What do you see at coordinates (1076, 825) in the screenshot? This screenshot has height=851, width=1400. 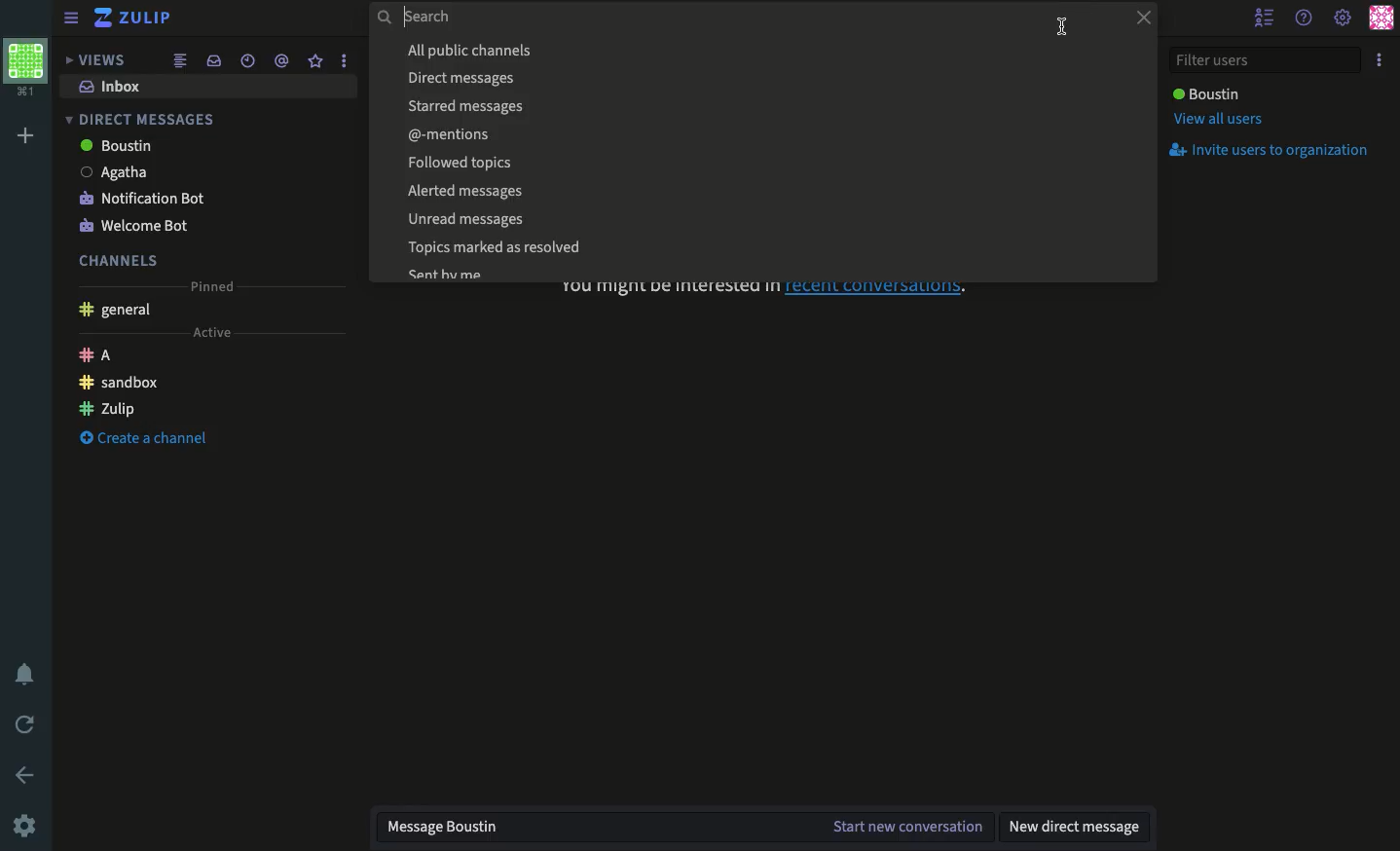 I see `New DM` at bounding box center [1076, 825].